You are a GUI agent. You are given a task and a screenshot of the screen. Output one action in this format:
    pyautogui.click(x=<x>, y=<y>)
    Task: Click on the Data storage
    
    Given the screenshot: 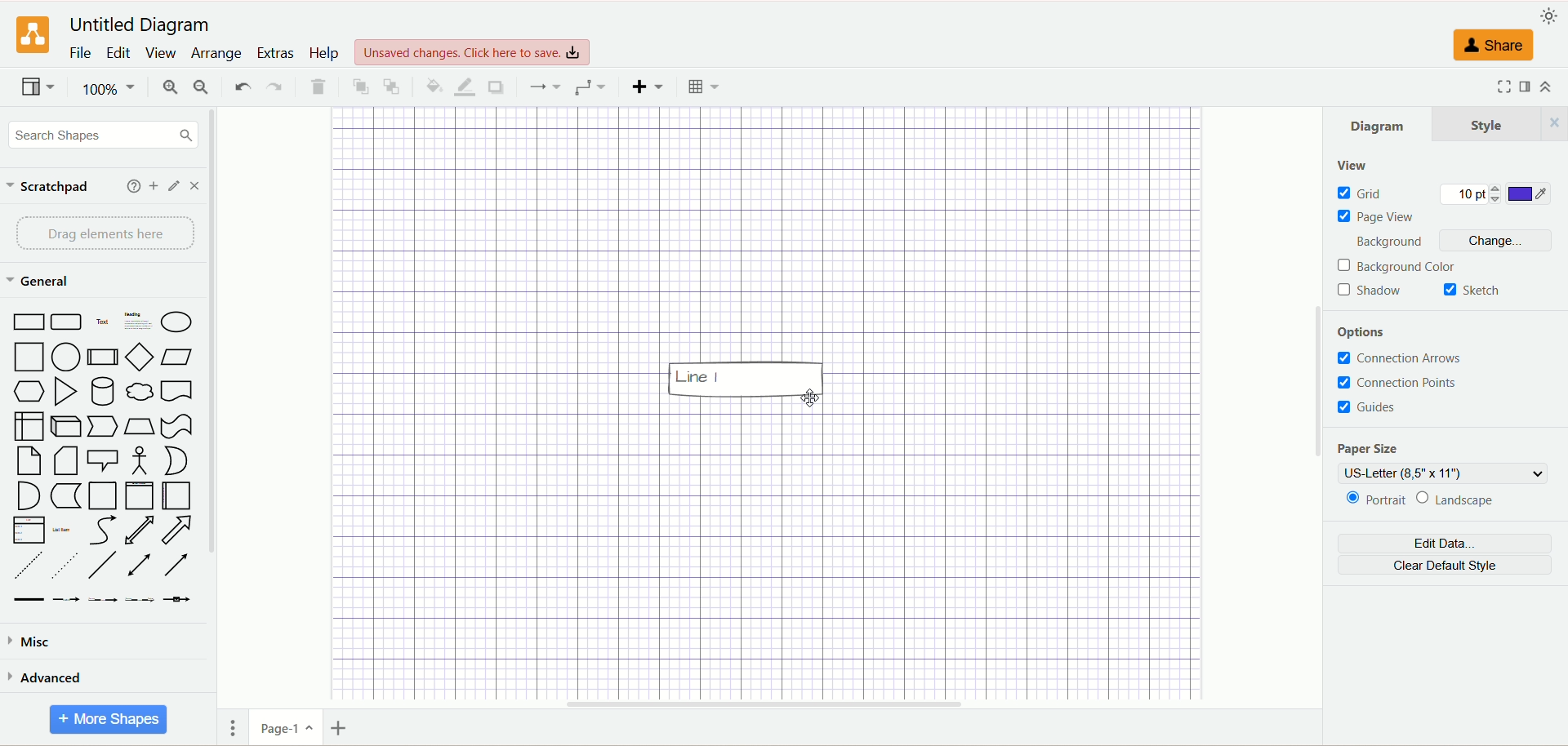 What is the action you would take?
    pyautogui.click(x=65, y=496)
    